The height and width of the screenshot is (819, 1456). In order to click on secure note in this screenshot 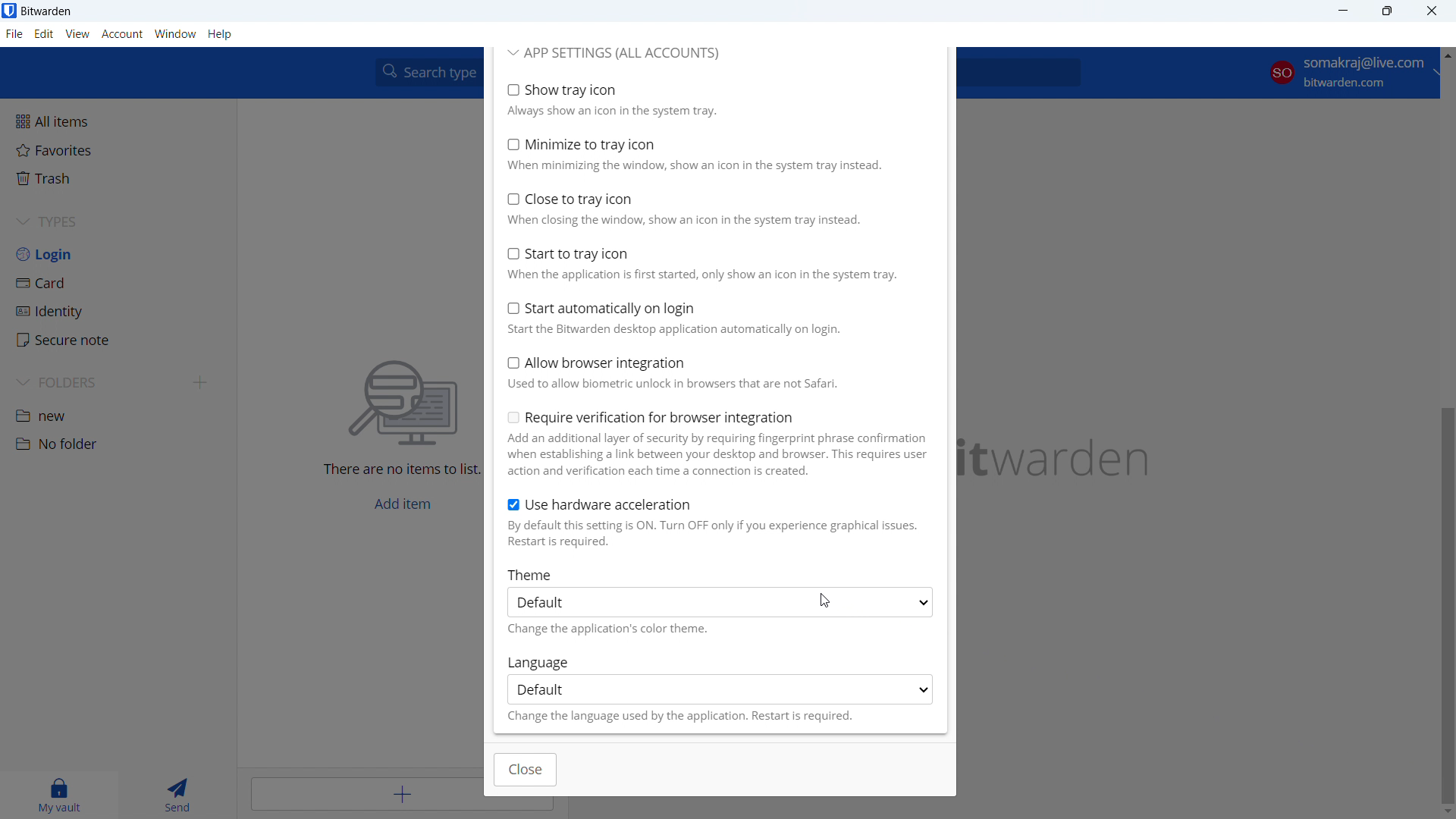, I will do `click(118, 340)`.